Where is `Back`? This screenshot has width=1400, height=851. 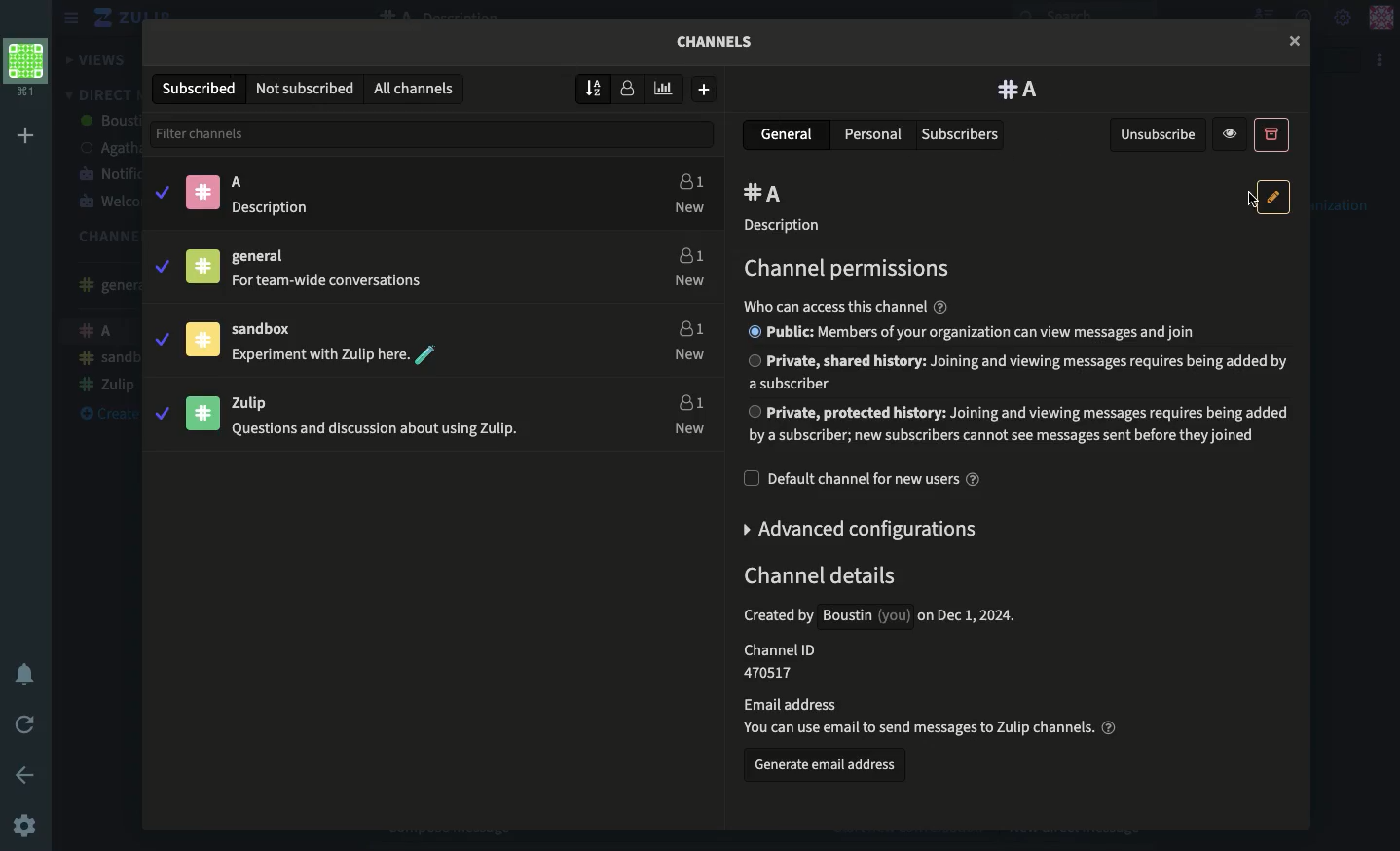
Back is located at coordinates (28, 774).